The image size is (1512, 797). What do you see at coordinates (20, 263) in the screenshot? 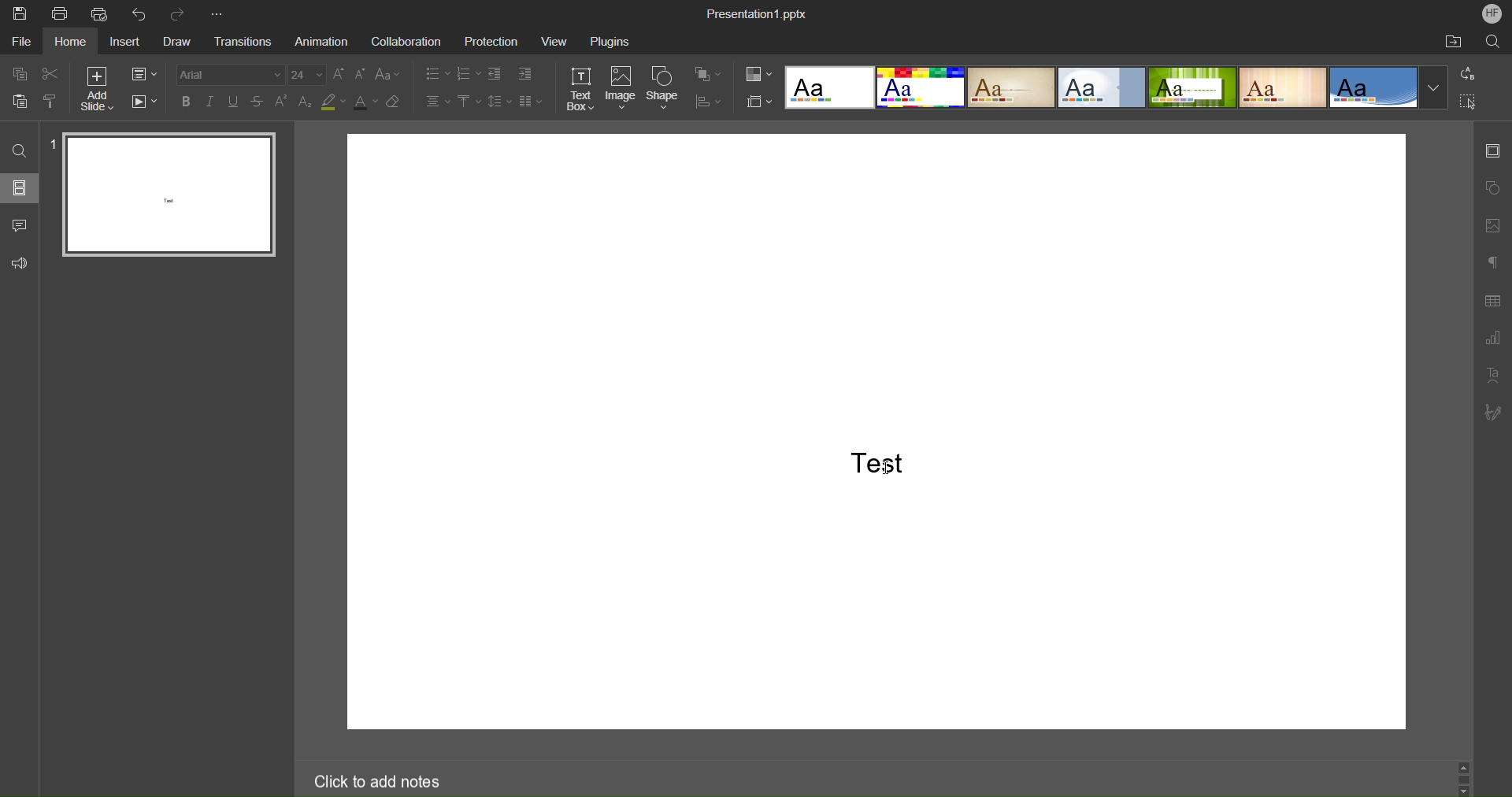
I see `Feedback and Support` at bounding box center [20, 263].